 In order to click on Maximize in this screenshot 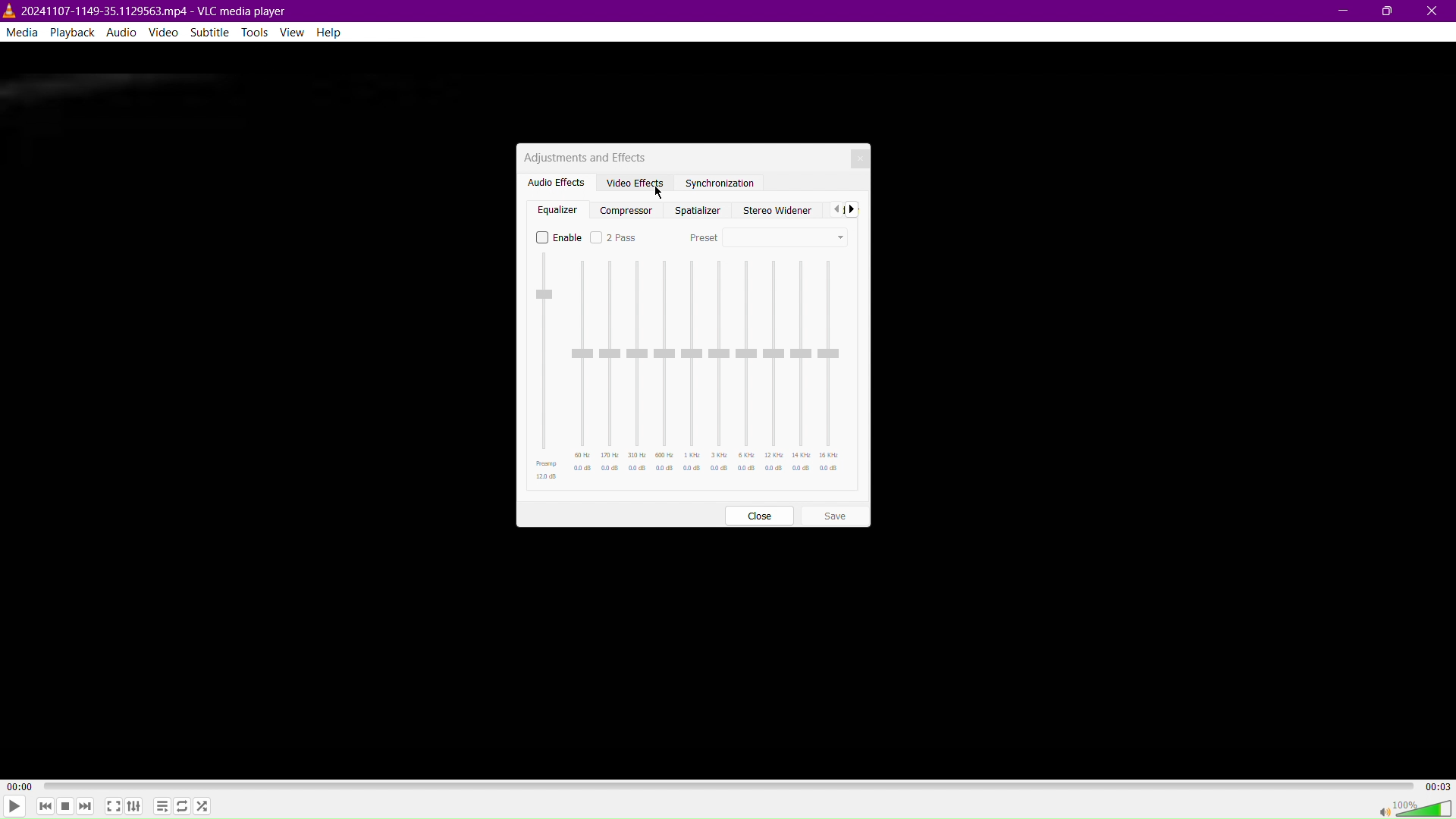, I will do `click(1387, 11)`.